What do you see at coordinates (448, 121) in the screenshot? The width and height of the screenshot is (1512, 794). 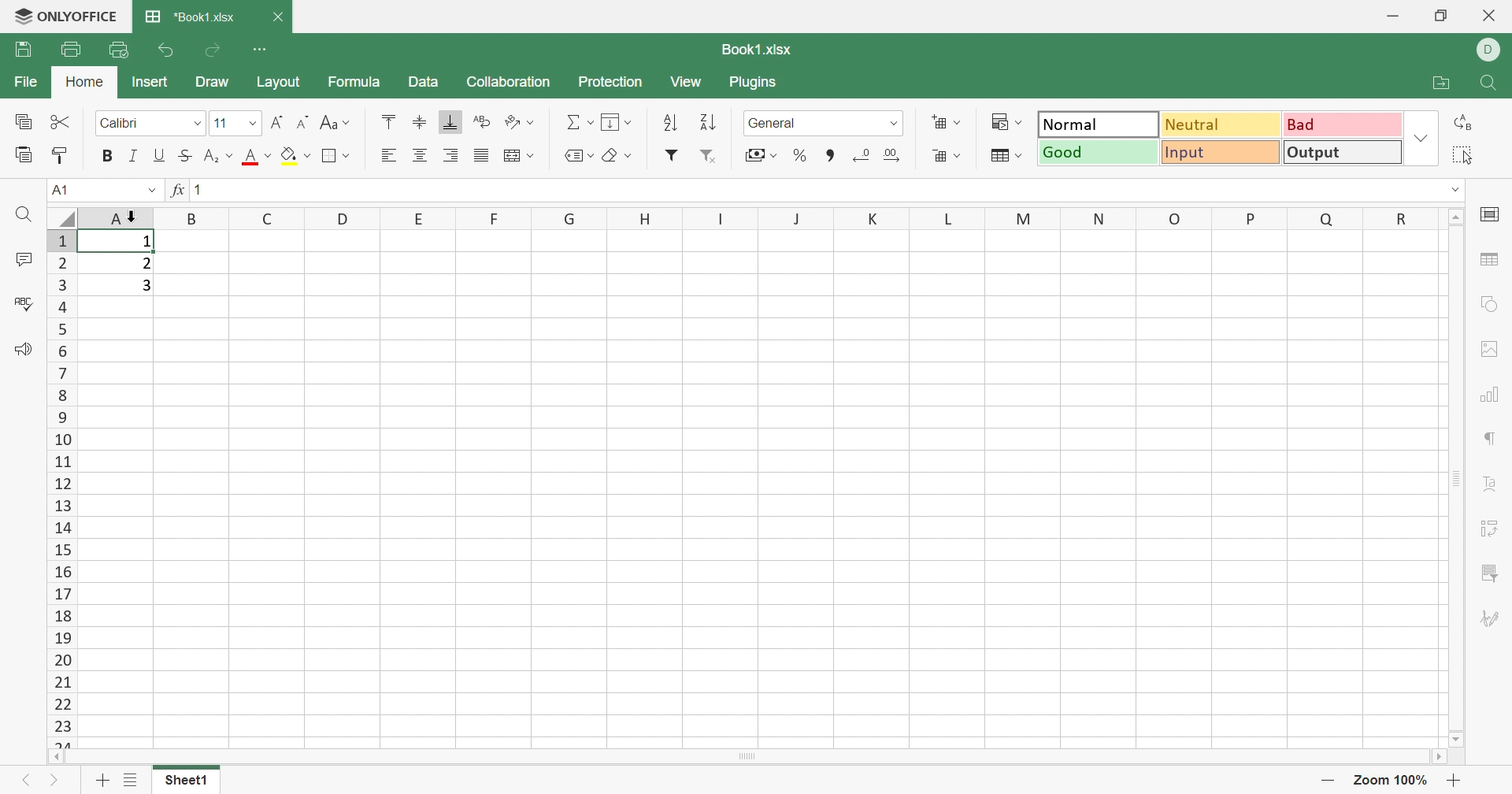 I see `Align bottom` at bounding box center [448, 121].